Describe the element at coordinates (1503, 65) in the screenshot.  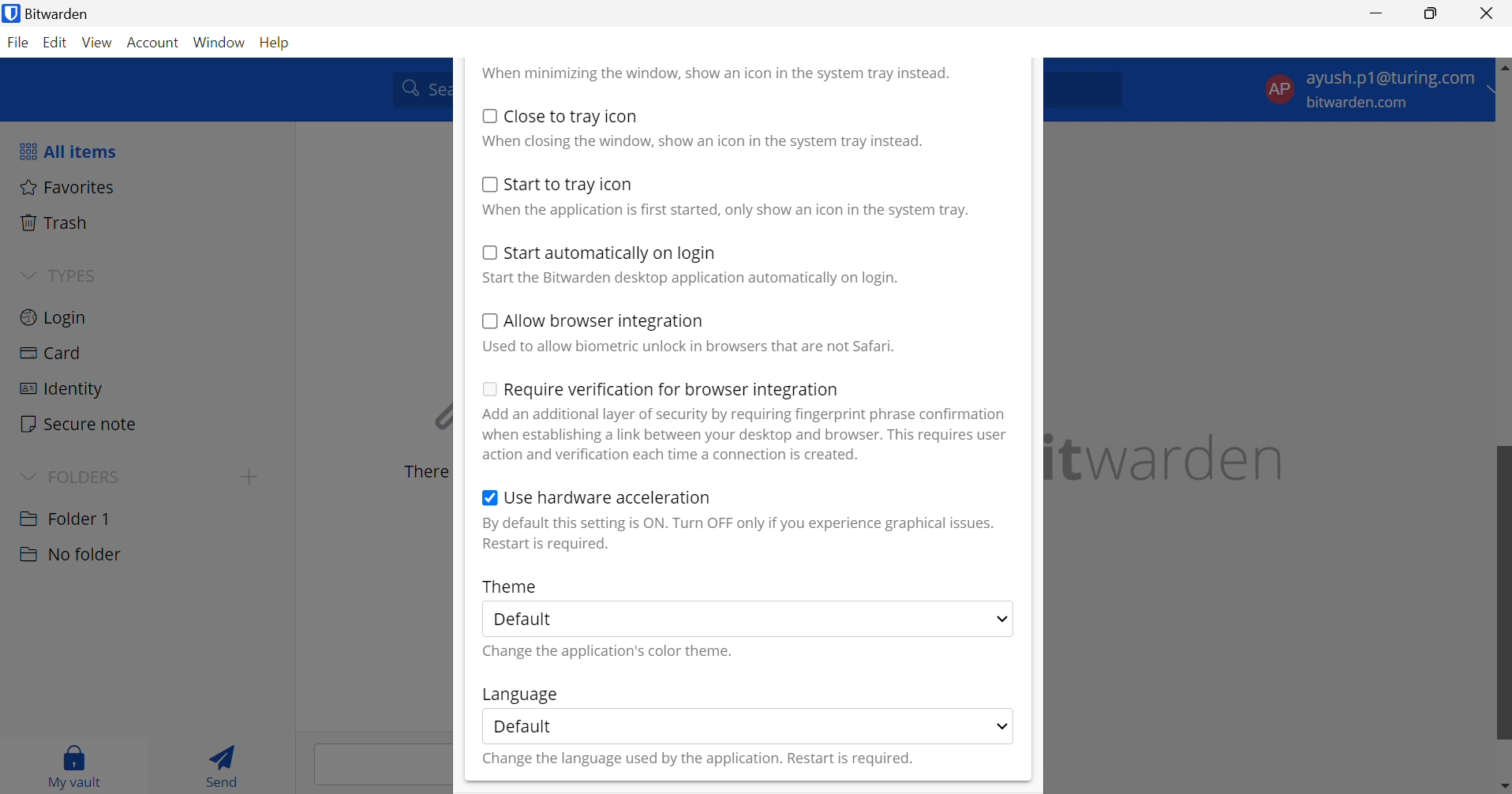
I see `scroll up` at that location.